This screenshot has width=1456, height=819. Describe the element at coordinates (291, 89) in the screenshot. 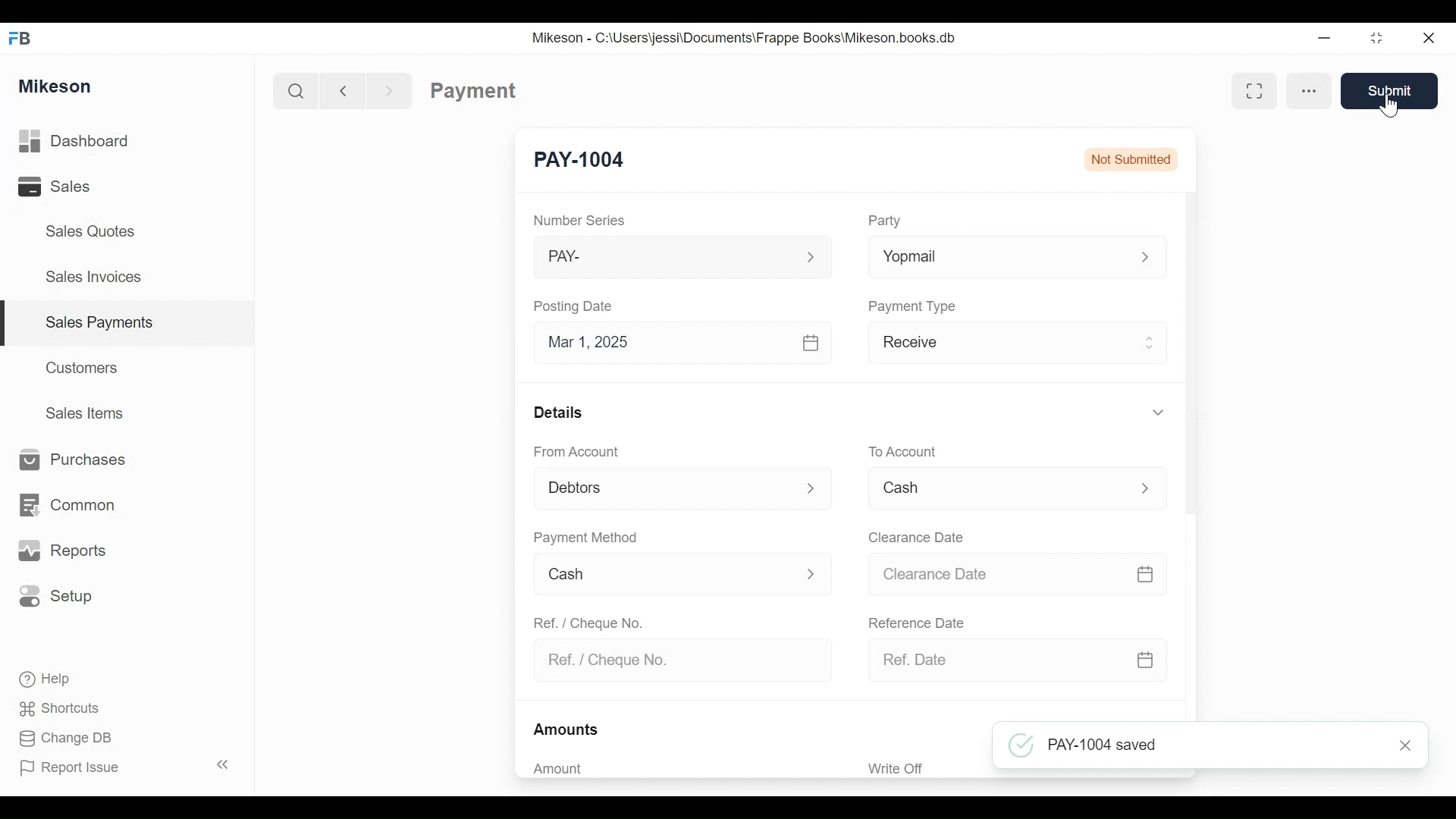

I see `Search` at that location.